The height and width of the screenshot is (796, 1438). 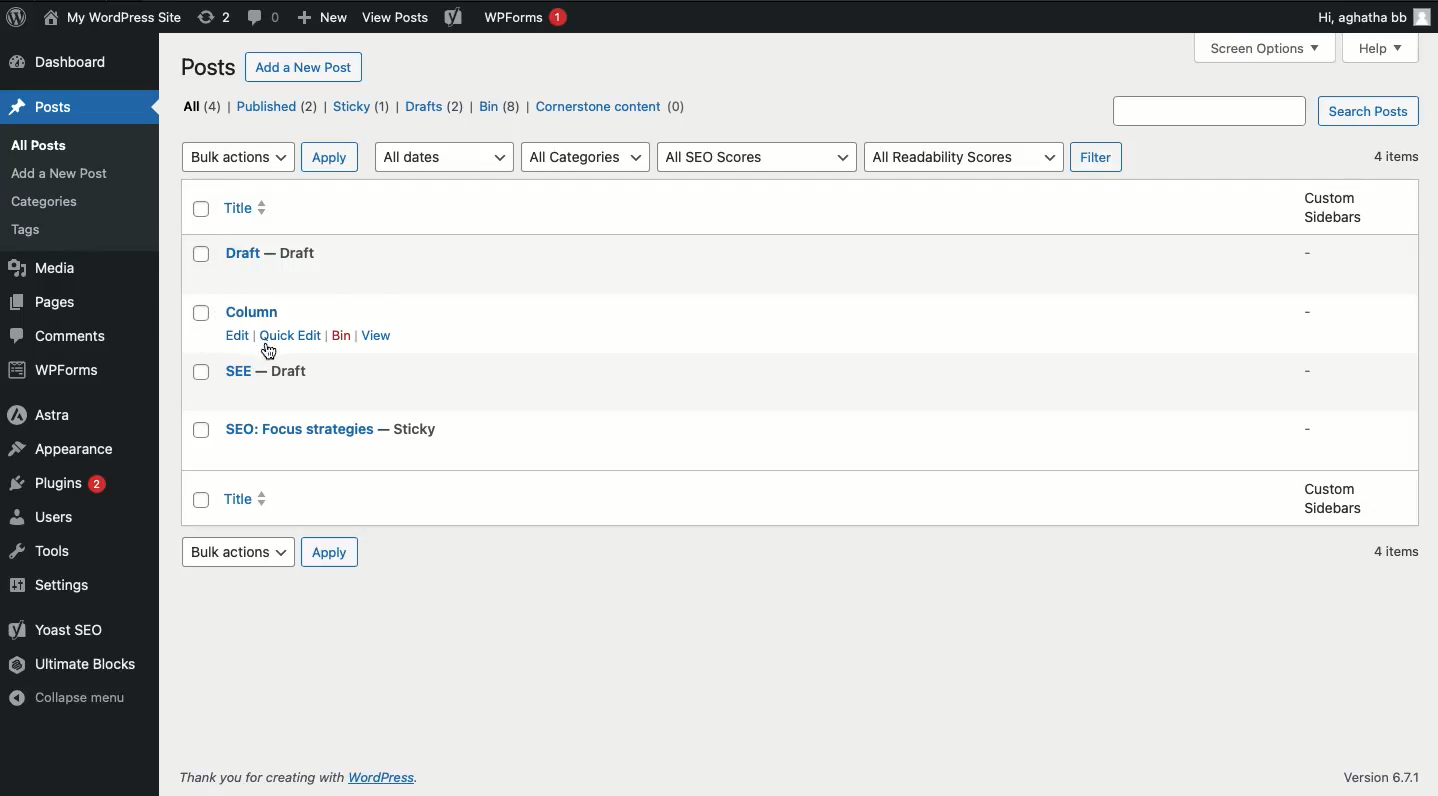 What do you see at coordinates (48, 554) in the screenshot?
I see `Tools` at bounding box center [48, 554].